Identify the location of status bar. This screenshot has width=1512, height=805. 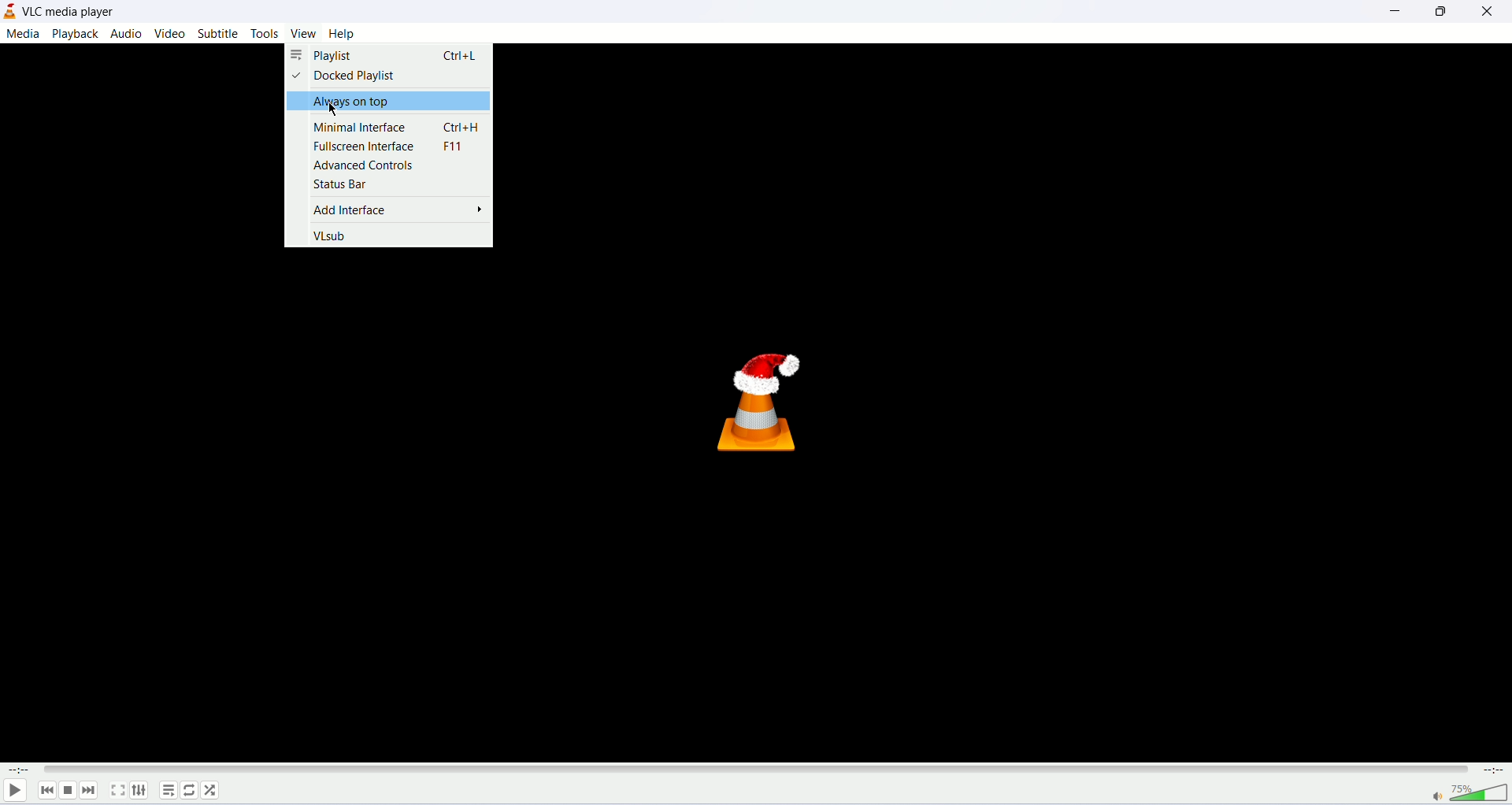
(339, 184).